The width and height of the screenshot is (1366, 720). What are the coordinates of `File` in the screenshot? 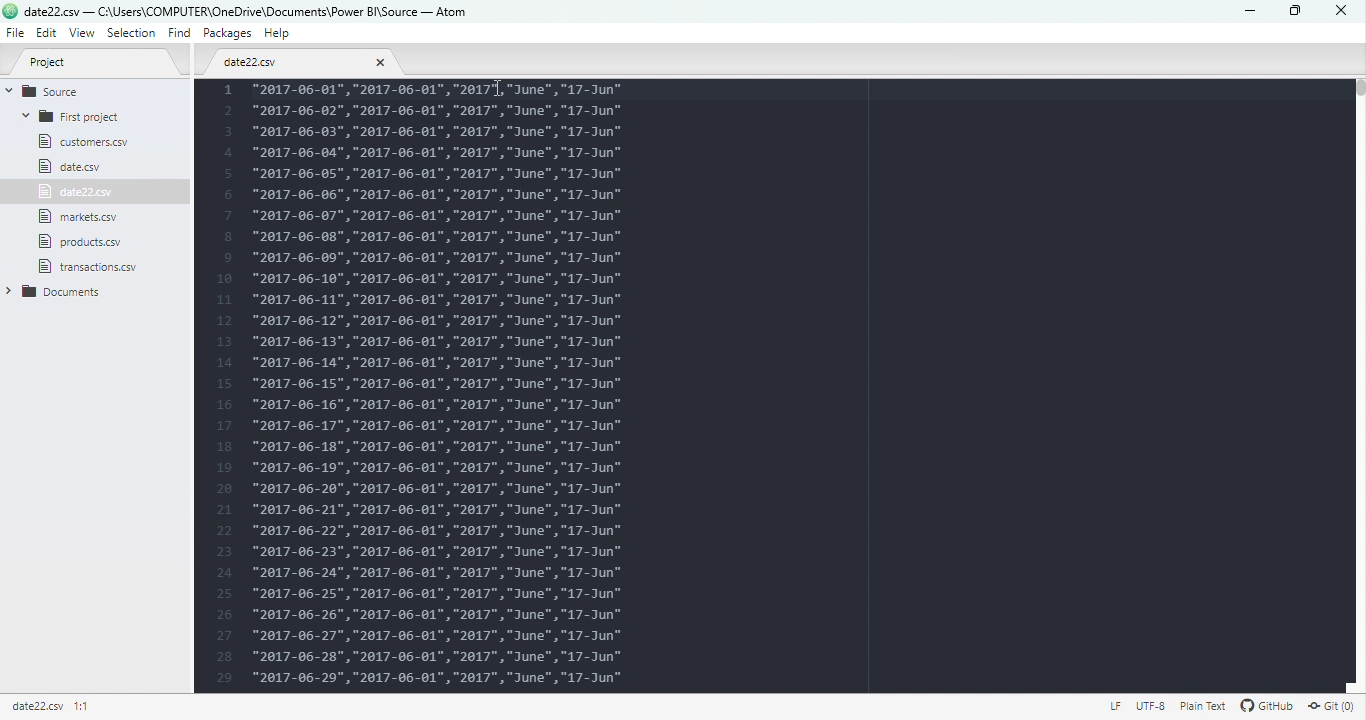 It's located at (66, 167).